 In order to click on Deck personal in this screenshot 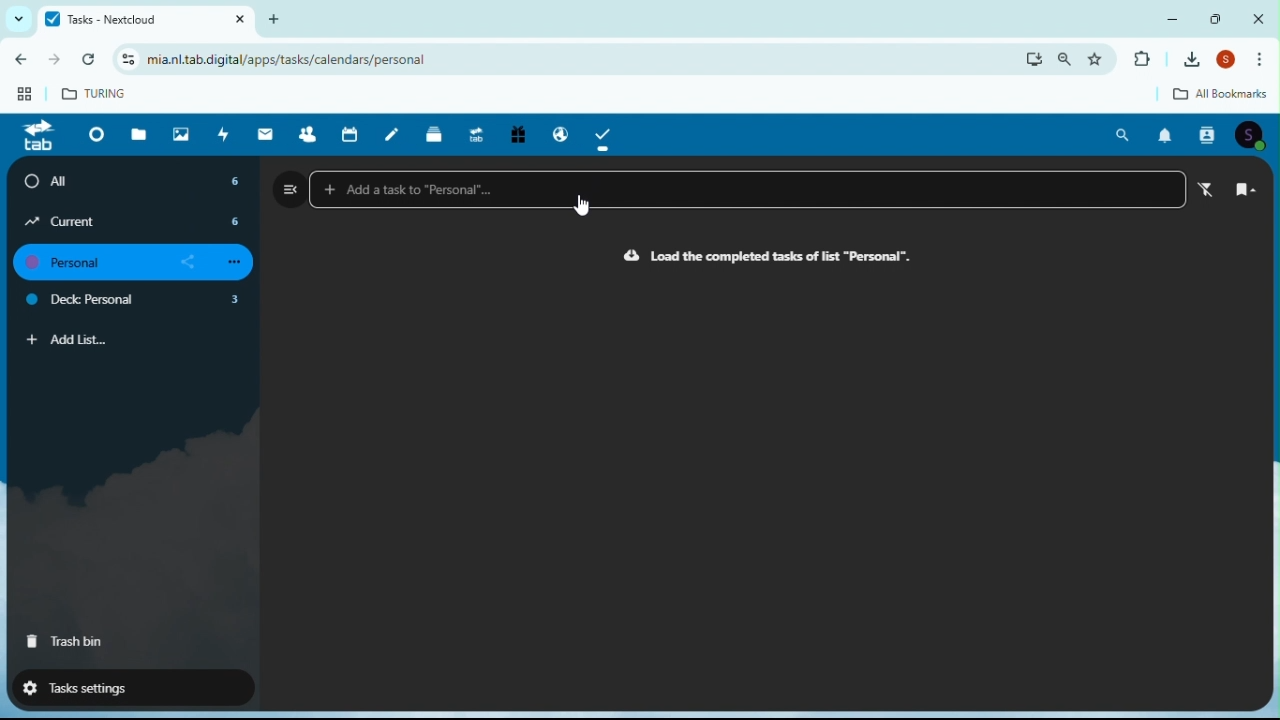, I will do `click(136, 302)`.